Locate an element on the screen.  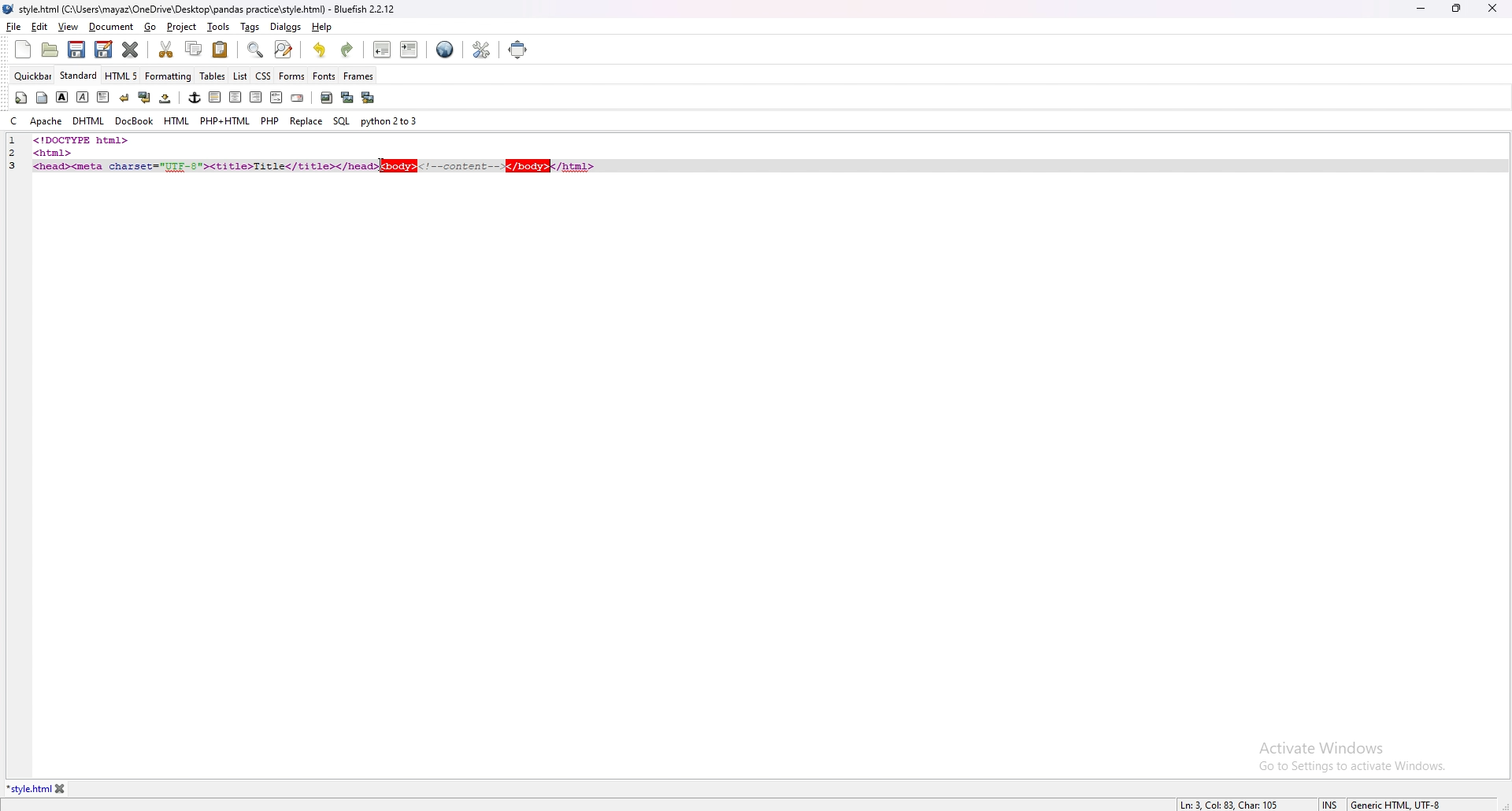
formatting is located at coordinates (169, 76).